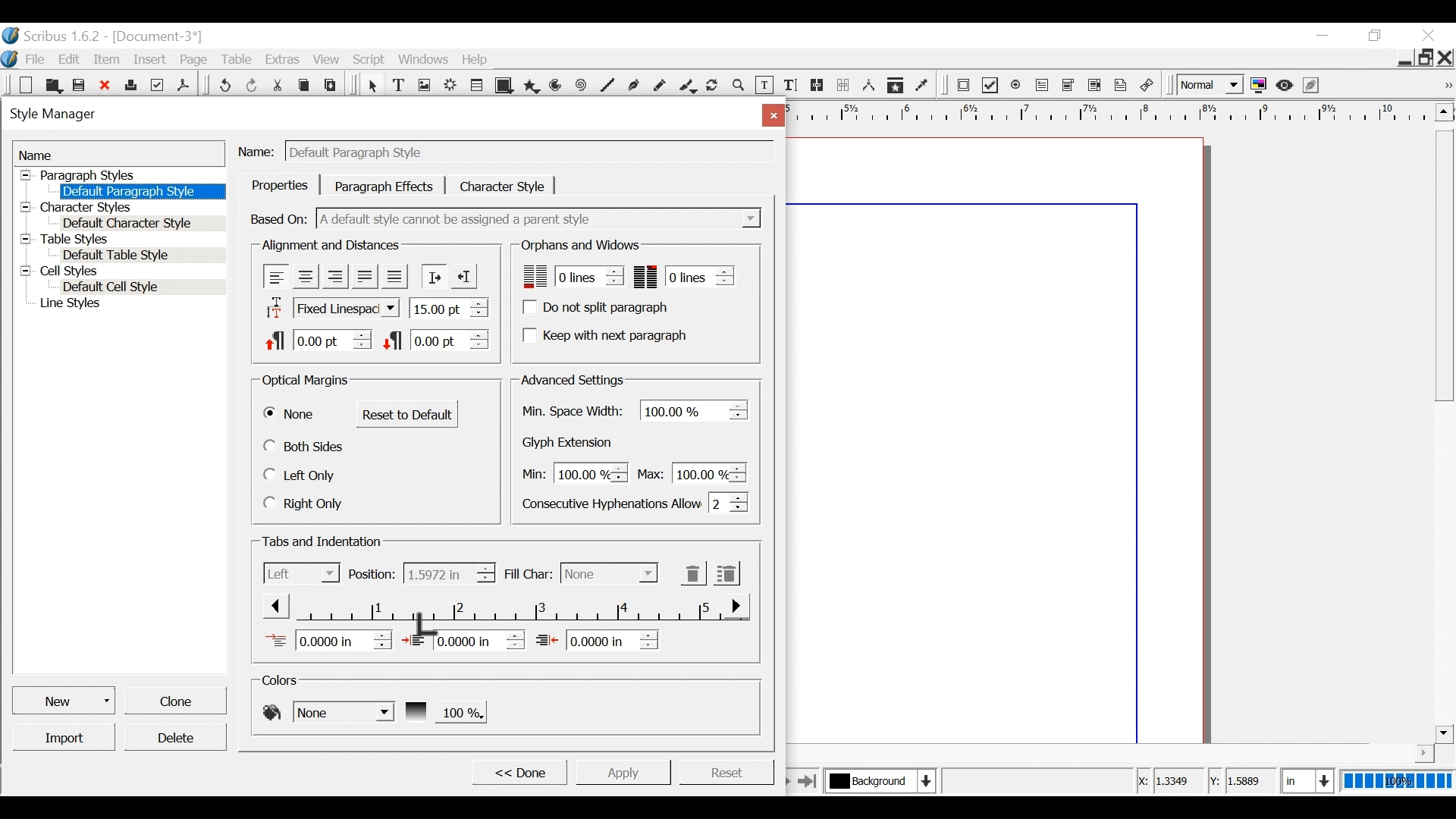 The width and height of the screenshot is (1456, 819). I want to click on Ensure that the last line of the paragraph wont end up sepaerated, so click(685, 276).